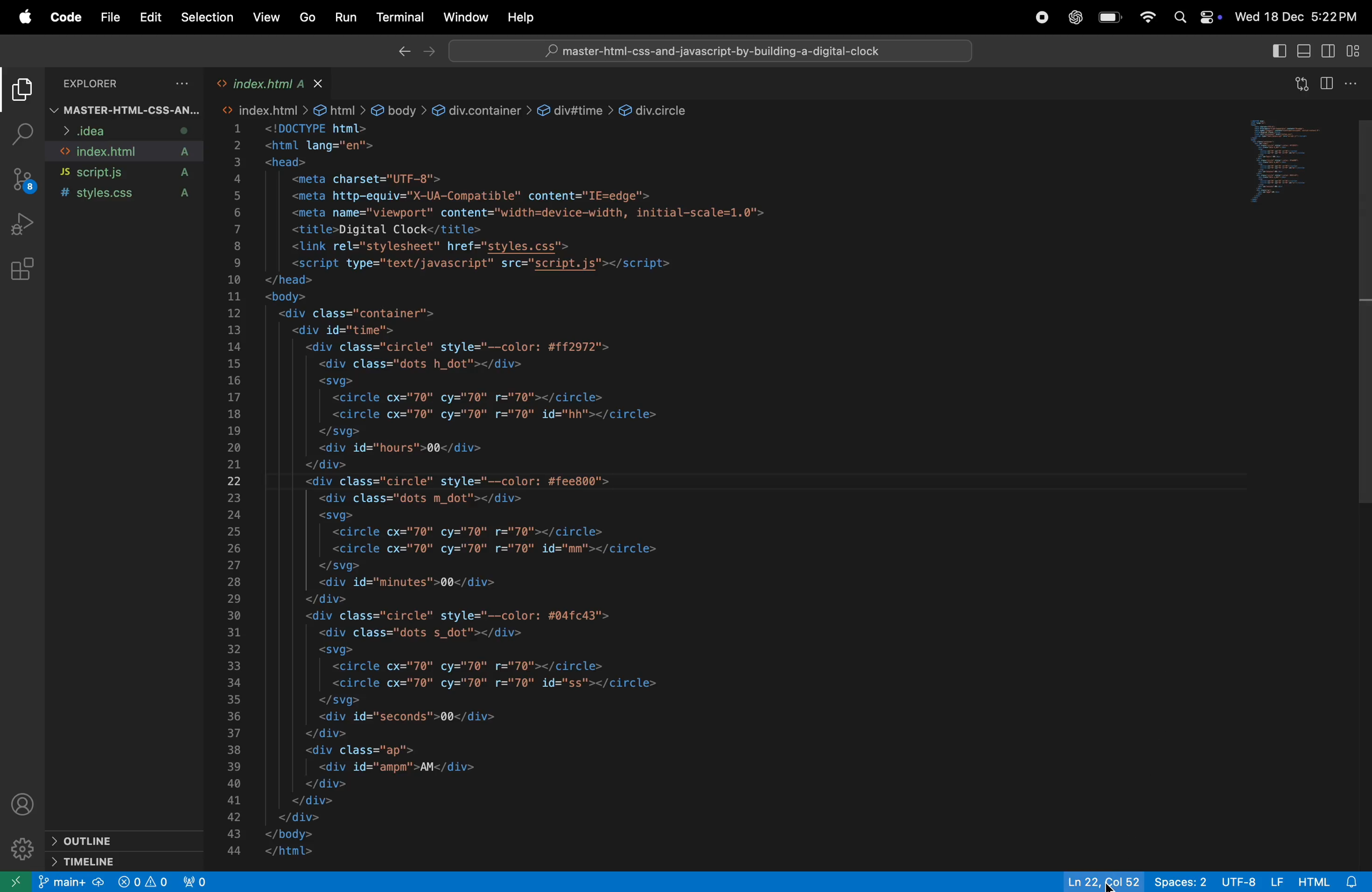 The height and width of the screenshot is (892, 1372). What do you see at coordinates (1357, 85) in the screenshot?
I see `options` at bounding box center [1357, 85].